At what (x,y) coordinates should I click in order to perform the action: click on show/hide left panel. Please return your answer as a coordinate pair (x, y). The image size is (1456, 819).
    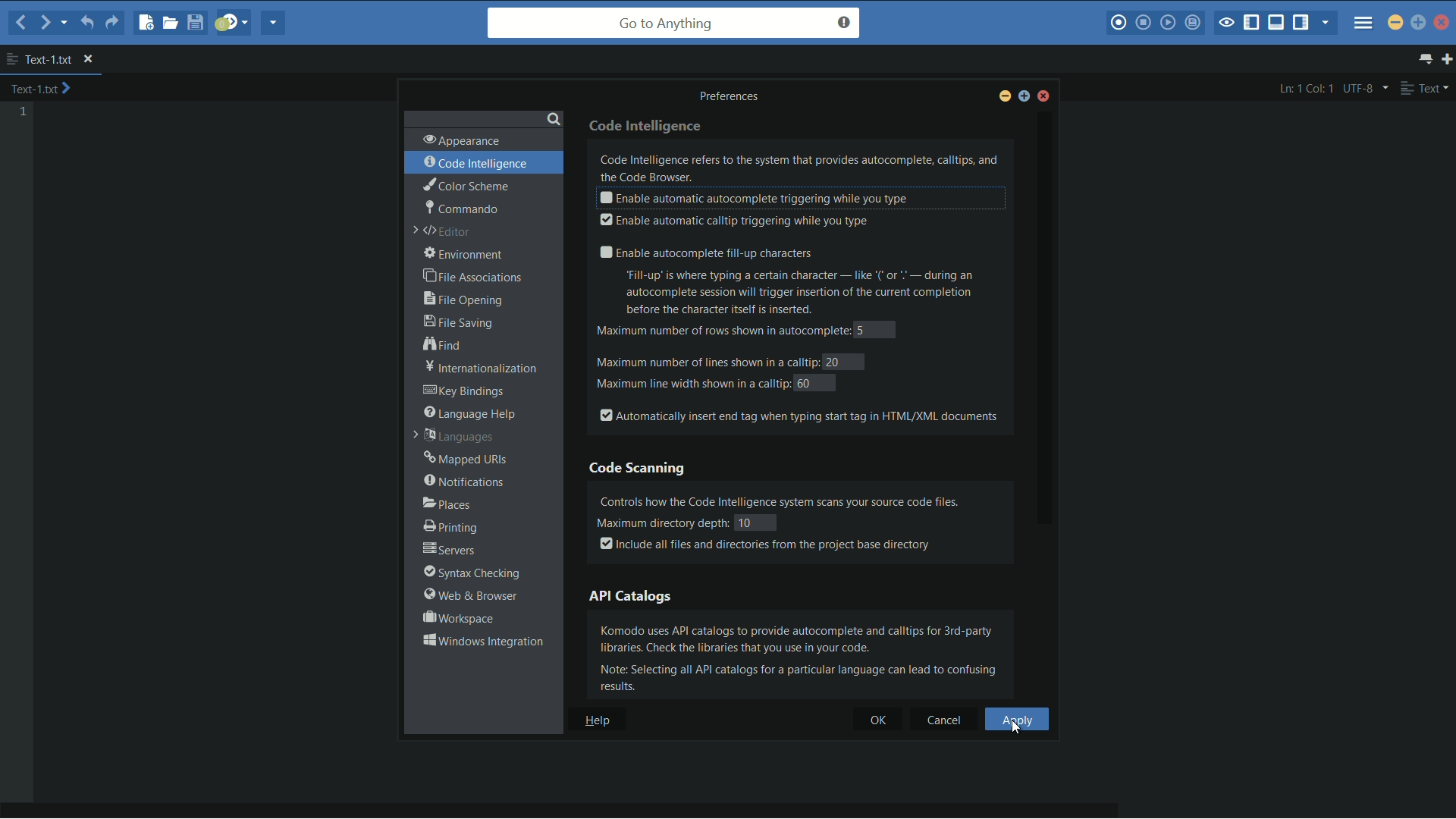
    Looking at the image, I should click on (1252, 24).